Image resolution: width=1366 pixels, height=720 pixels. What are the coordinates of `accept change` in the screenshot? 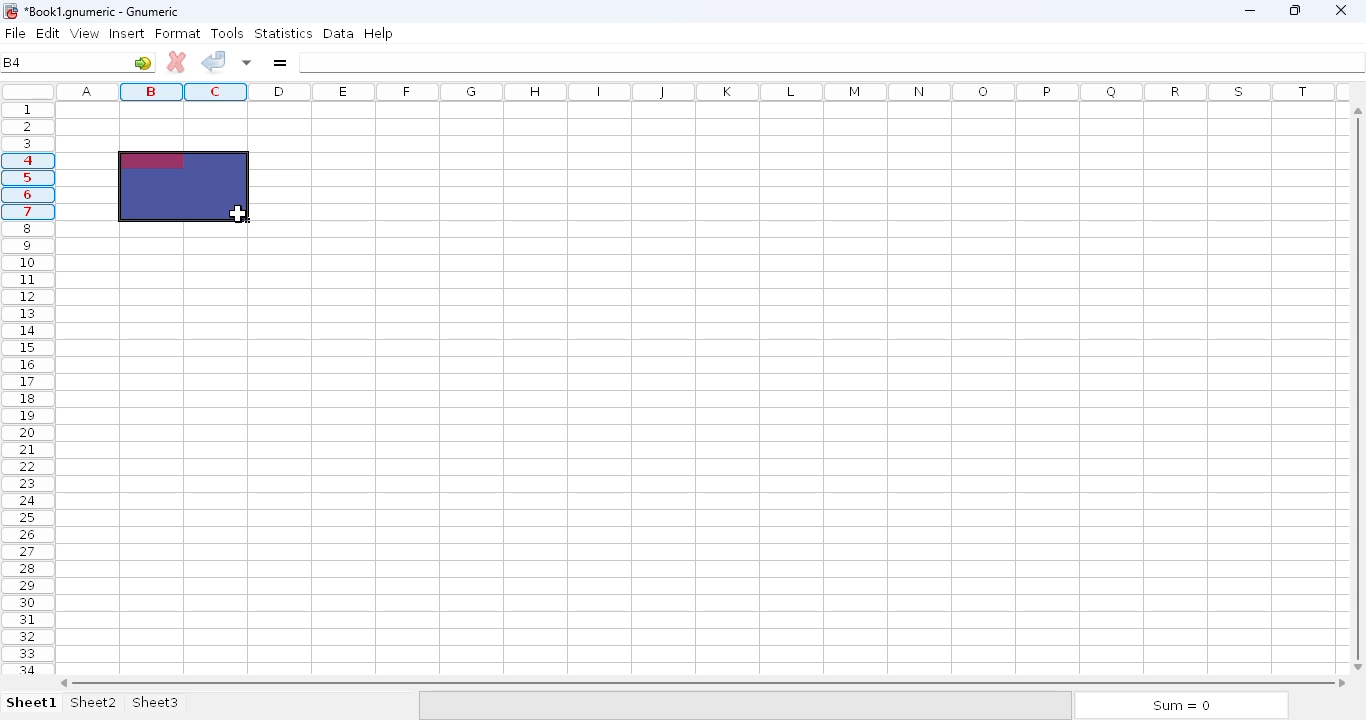 It's located at (215, 61).